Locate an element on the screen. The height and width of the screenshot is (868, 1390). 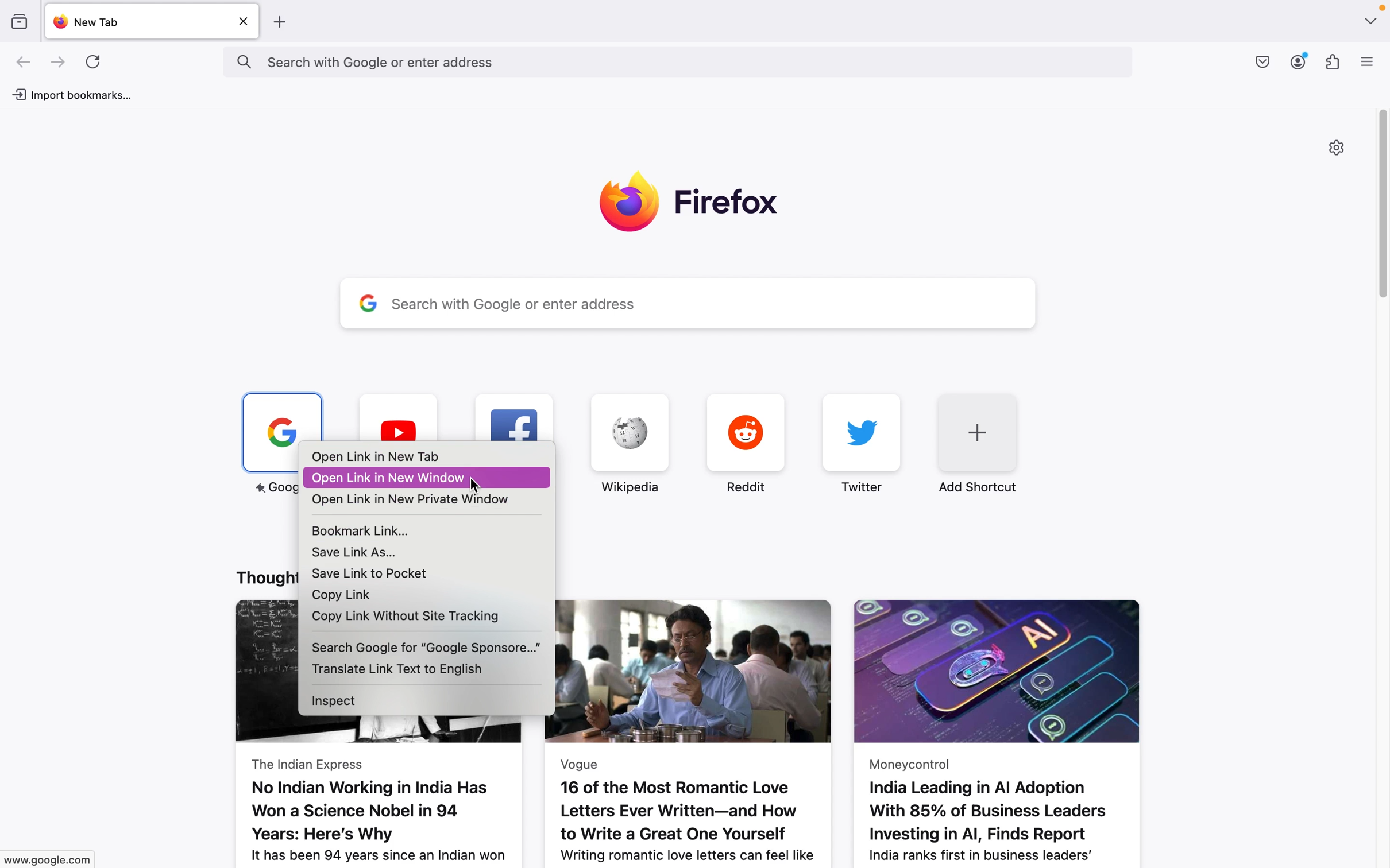
downloads is located at coordinates (1258, 61).